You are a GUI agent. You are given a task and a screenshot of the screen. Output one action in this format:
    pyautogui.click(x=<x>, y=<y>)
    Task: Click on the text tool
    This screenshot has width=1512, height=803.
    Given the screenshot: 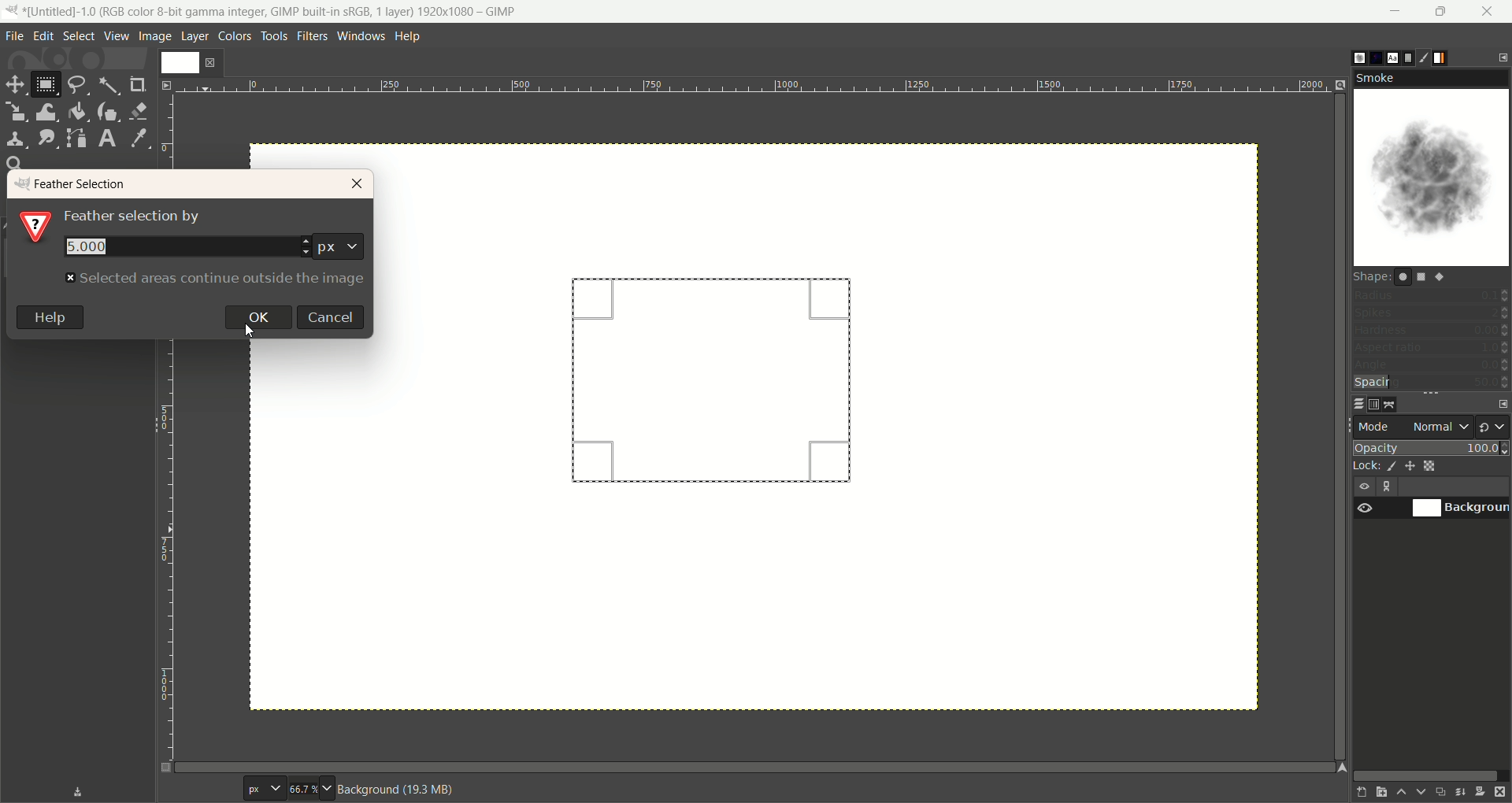 What is the action you would take?
    pyautogui.click(x=105, y=139)
    